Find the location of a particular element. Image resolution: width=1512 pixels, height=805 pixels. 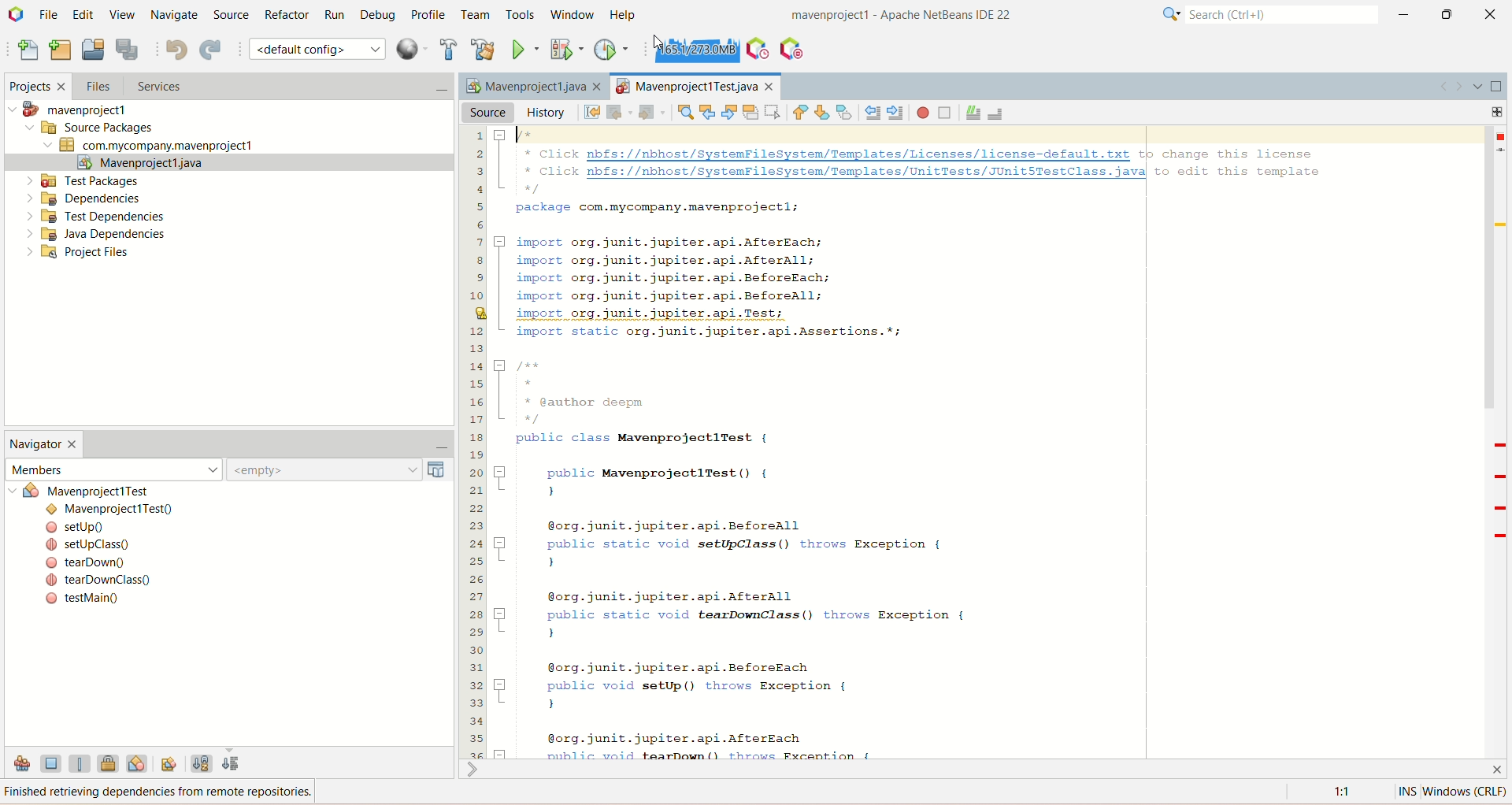

mavenproject1 is located at coordinates (81, 109).